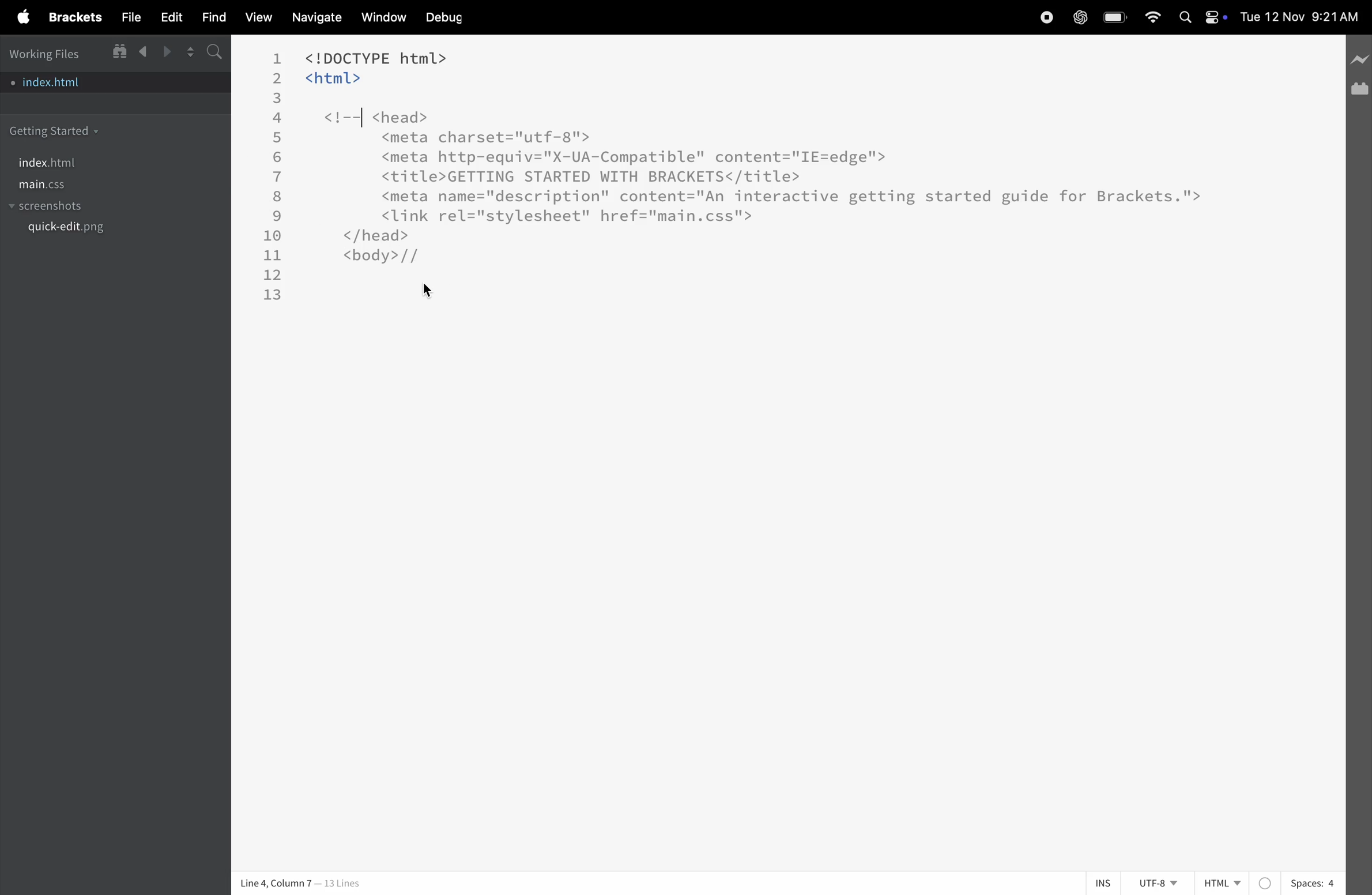  What do you see at coordinates (1303, 17) in the screenshot?
I see `date and time` at bounding box center [1303, 17].